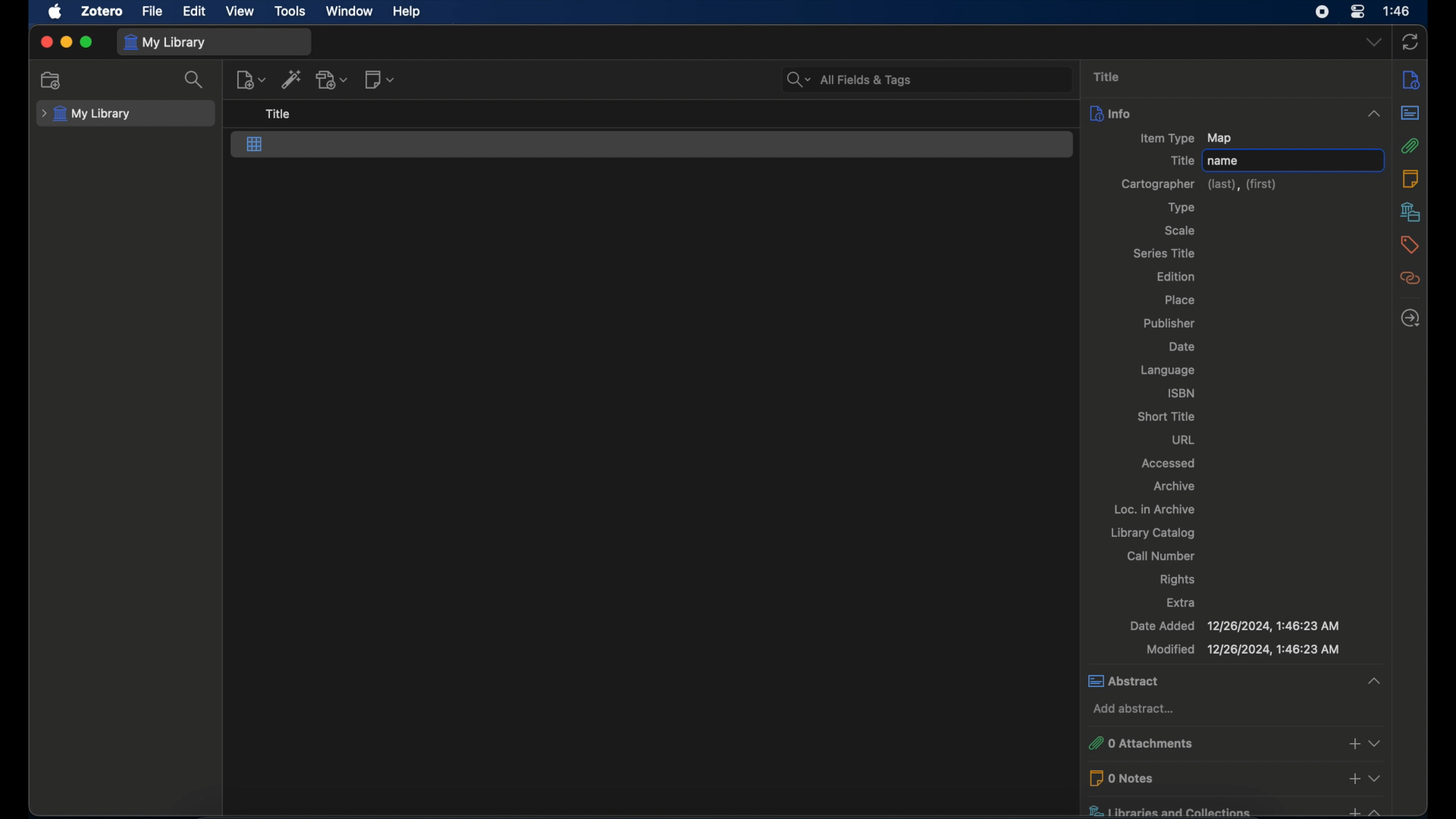 The height and width of the screenshot is (819, 1456). Describe the element at coordinates (1181, 347) in the screenshot. I see `date` at that location.